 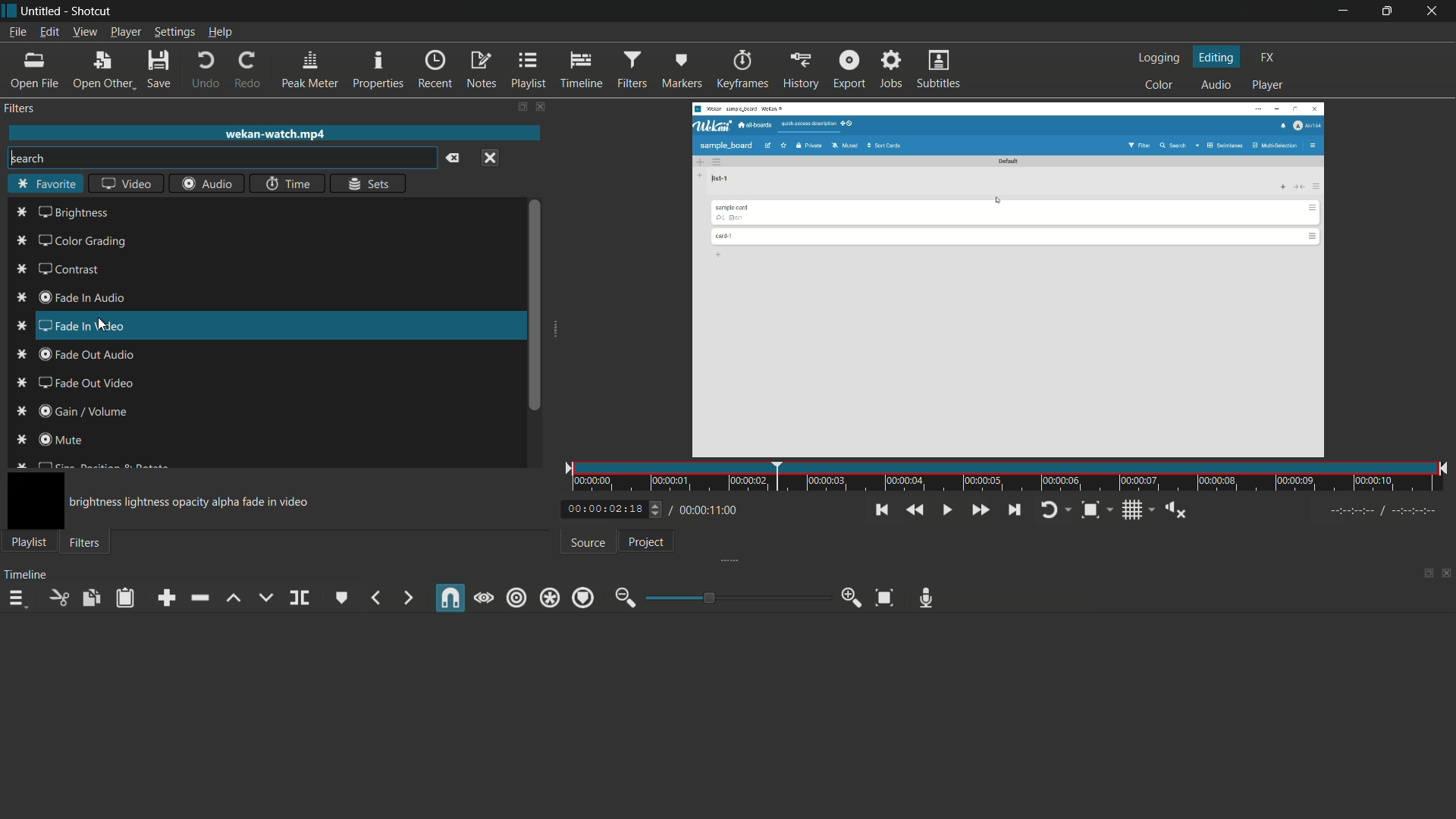 What do you see at coordinates (17, 598) in the screenshot?
I see `timeline menu` at bounding box center [17, 598].